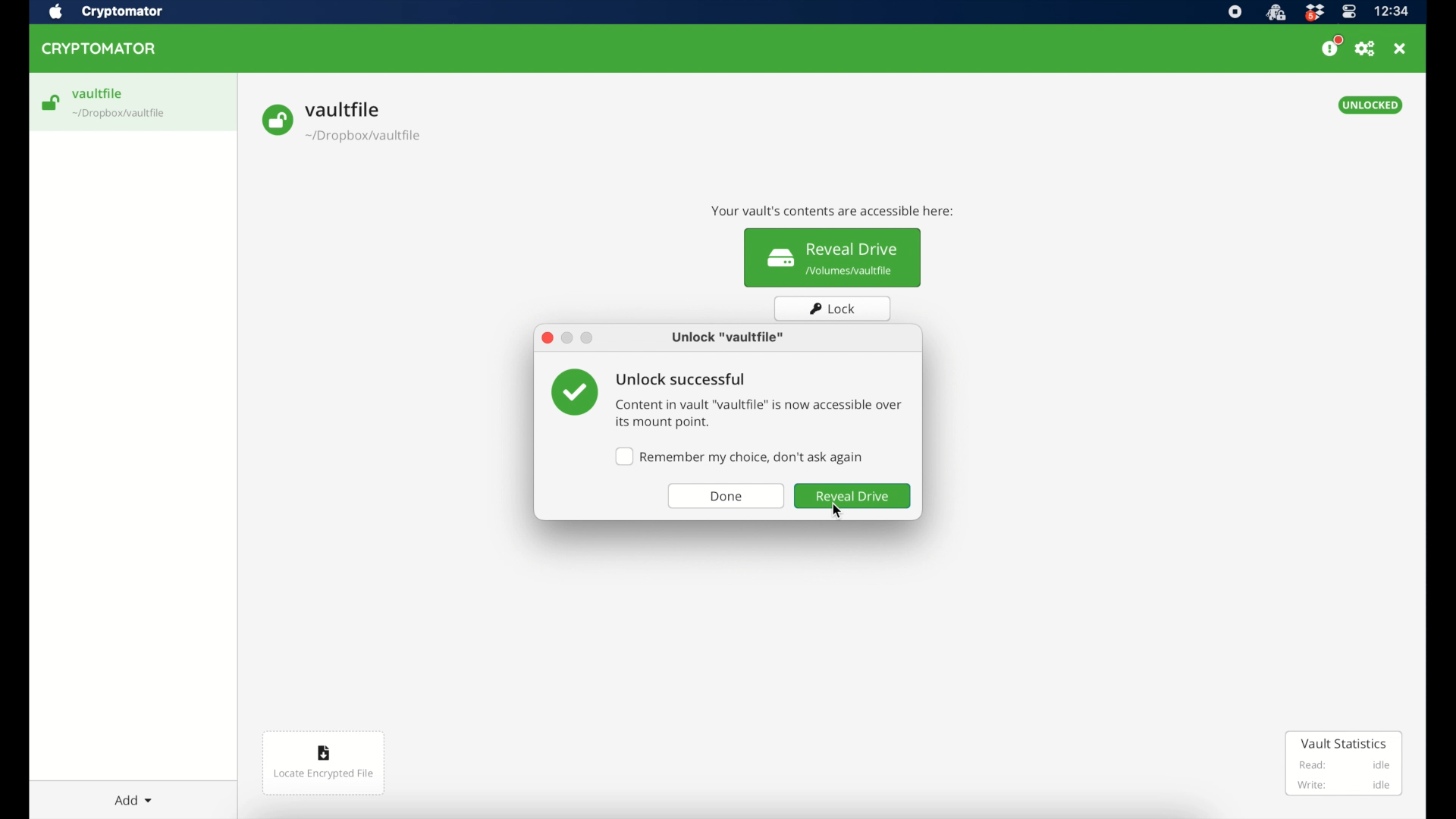 The height and width of the screenshot is (819, 1456). What do you see at coordinates (325, 762) in the screenshot?
I see `locate encrypted file` at bounding box center [325, 762].